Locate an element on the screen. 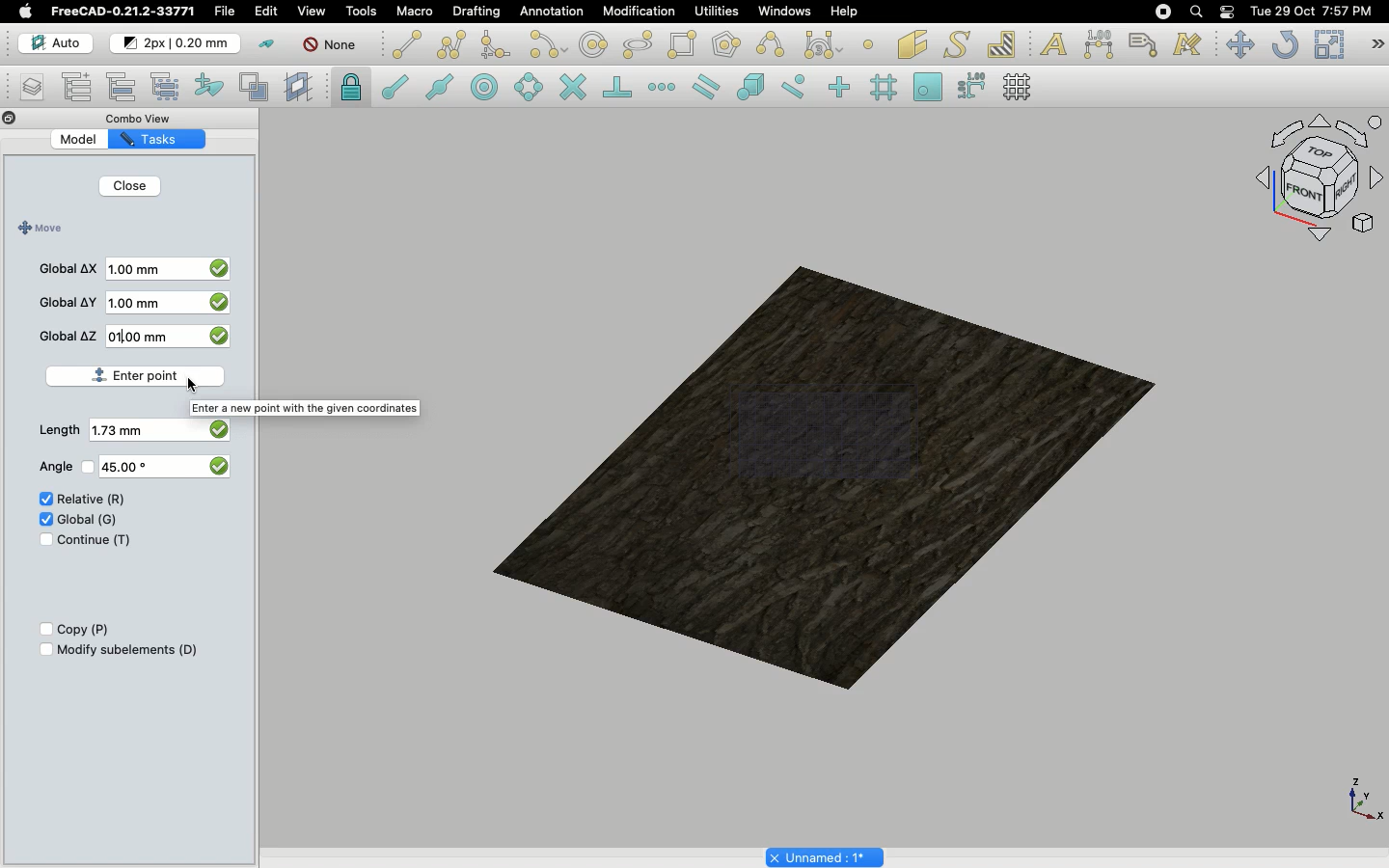  Circle is located at coordinates (594, 47).